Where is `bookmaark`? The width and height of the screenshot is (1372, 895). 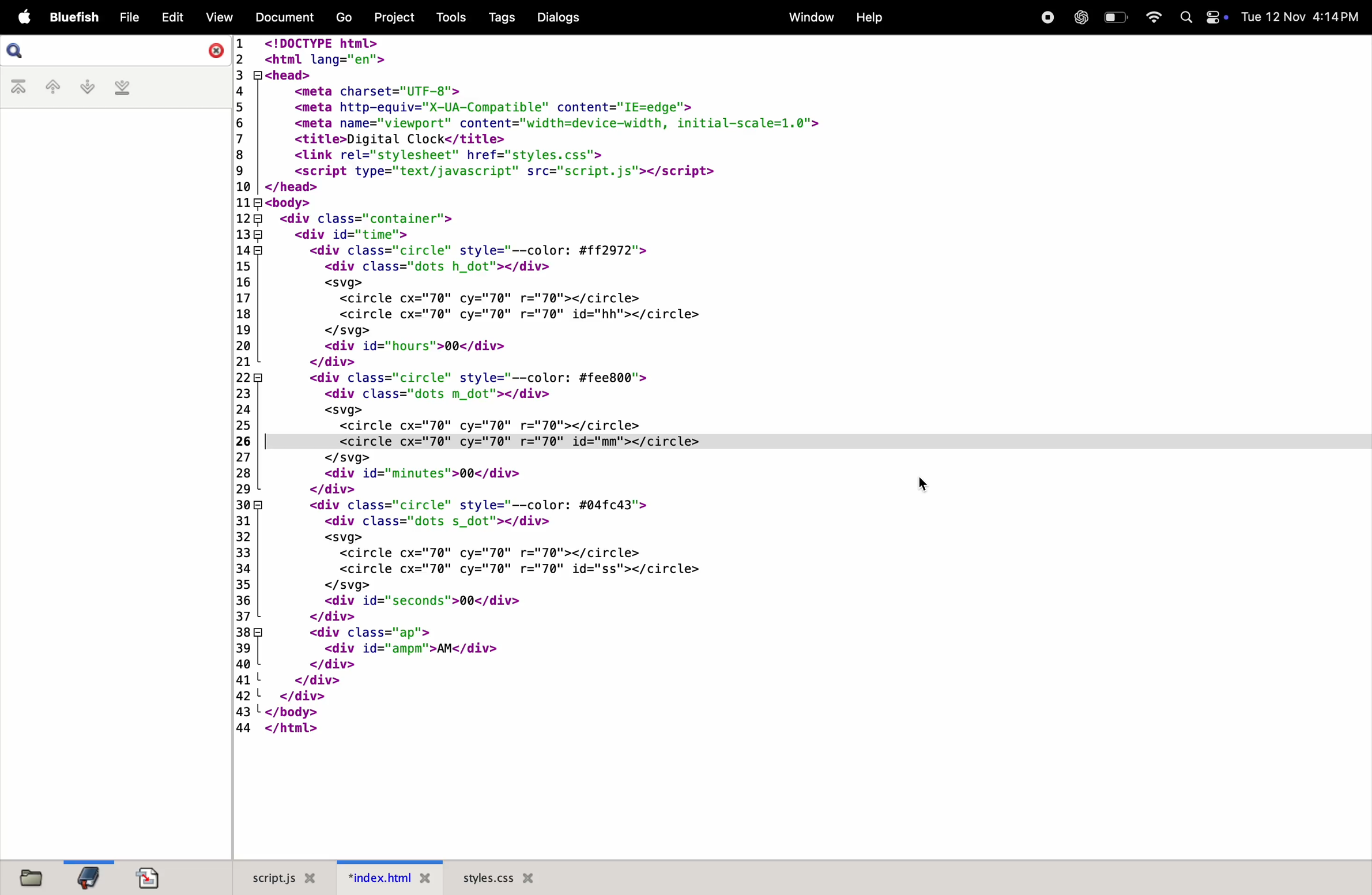 bookmaark is located at coordinates (89, 876).